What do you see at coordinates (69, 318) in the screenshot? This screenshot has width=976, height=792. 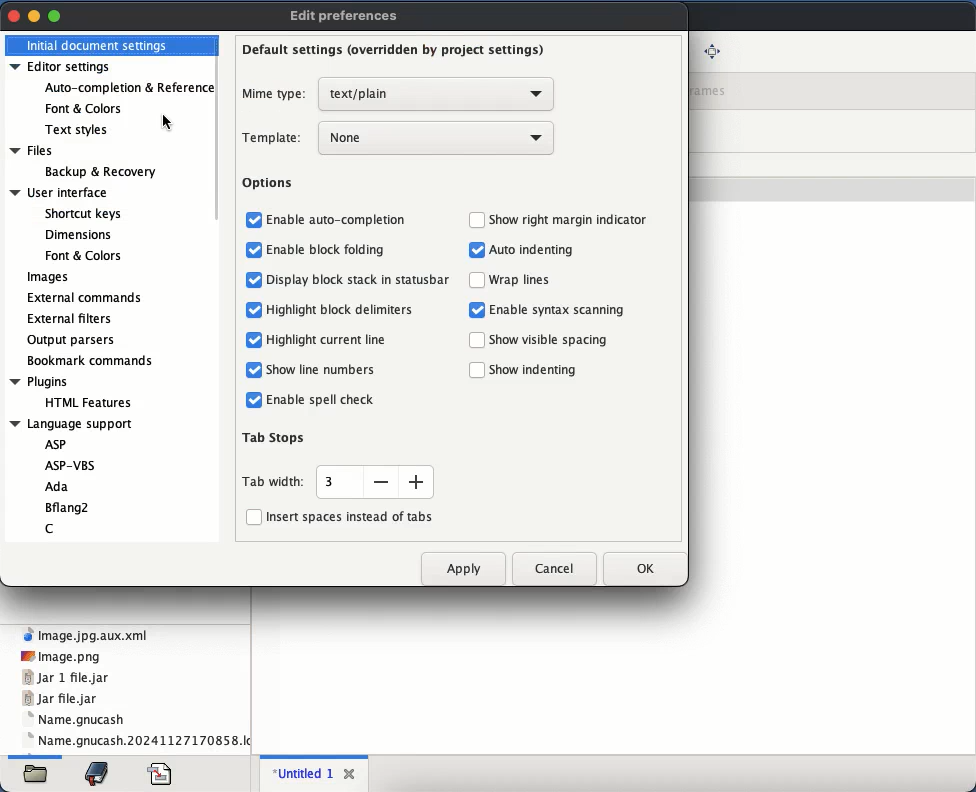 I see `external filters` at bounding box center [69, 318].